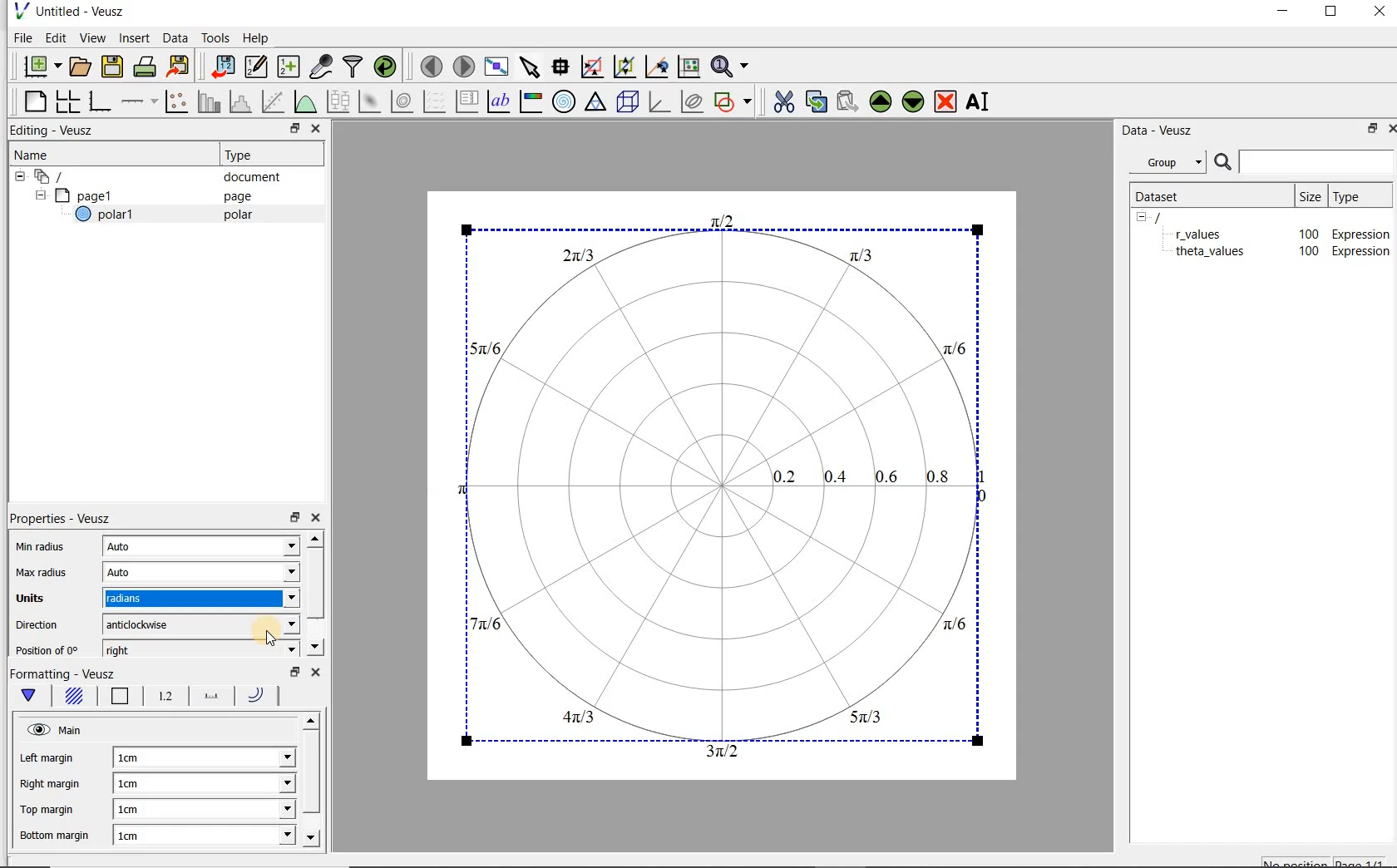 Image resolution: width=1397 pixels, height=868 pixels. Describe the element at coordinates (722, 491) in the screenshot. I see `Polar graph` at that location.